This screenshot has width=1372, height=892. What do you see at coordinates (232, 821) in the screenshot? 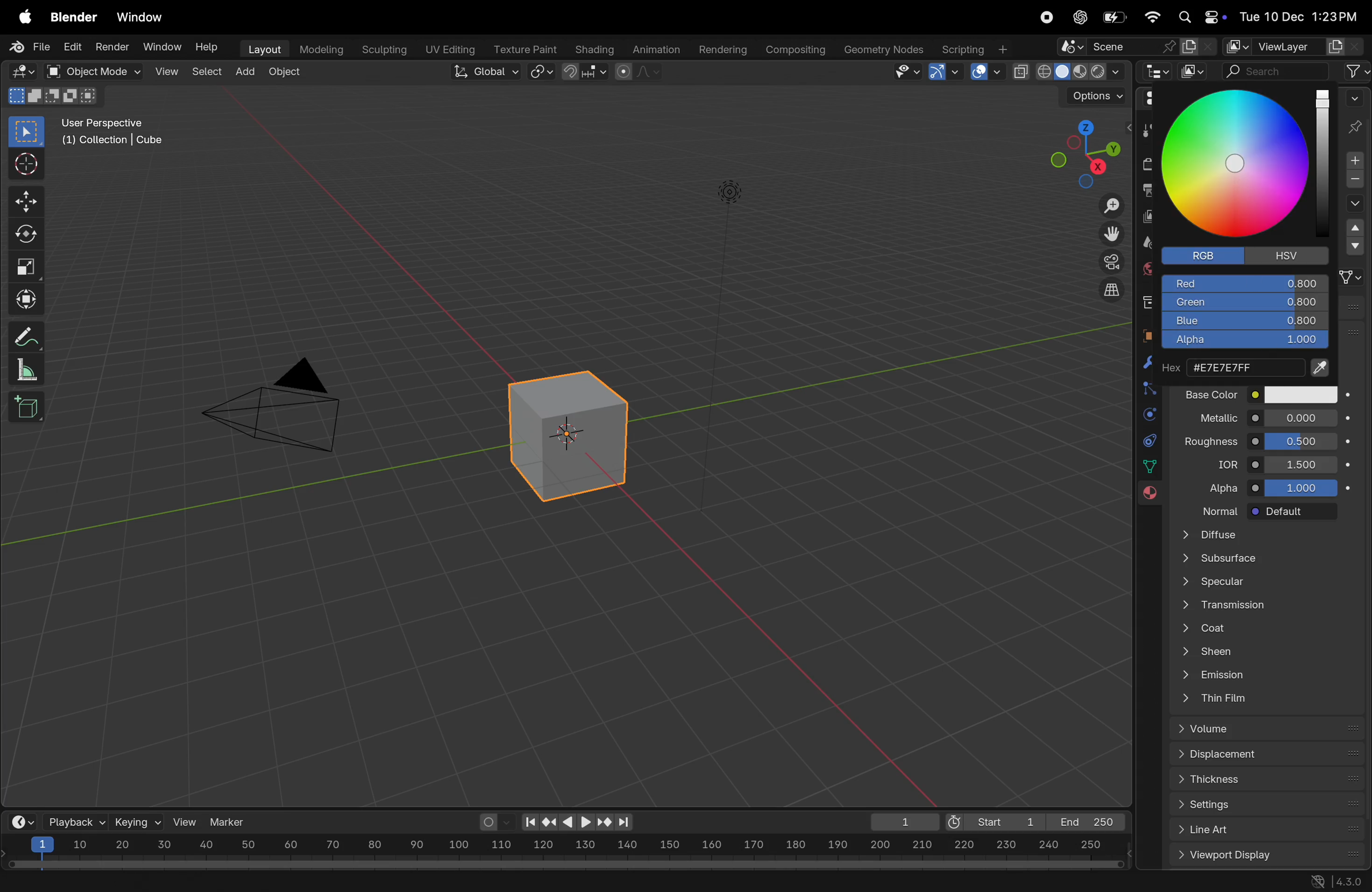
I see `marker` at bounding box center [232, 821].